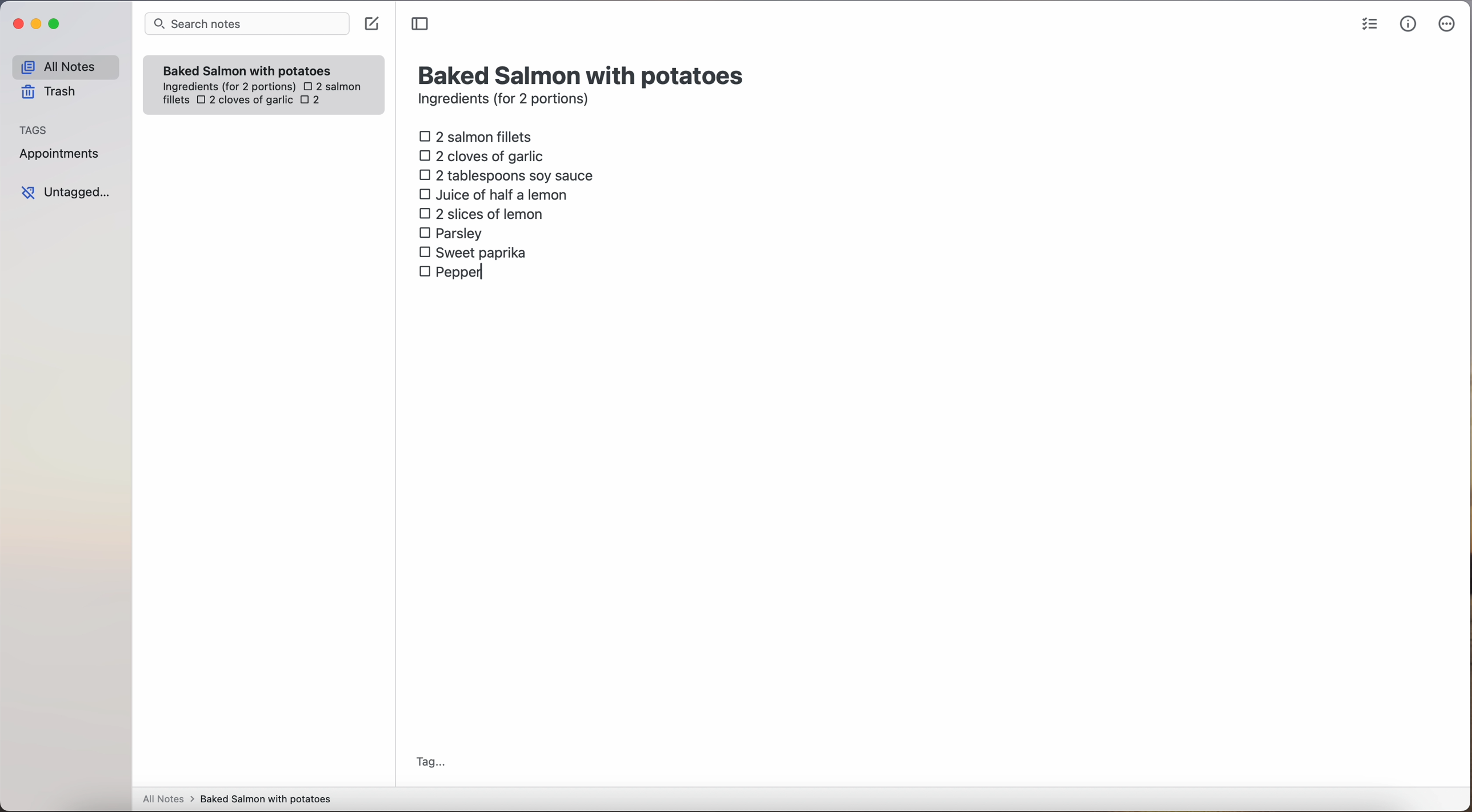  What do you see at coordinates (56, 23) in the screenshot?
I see `maximize` at bounding box center [56, 23].